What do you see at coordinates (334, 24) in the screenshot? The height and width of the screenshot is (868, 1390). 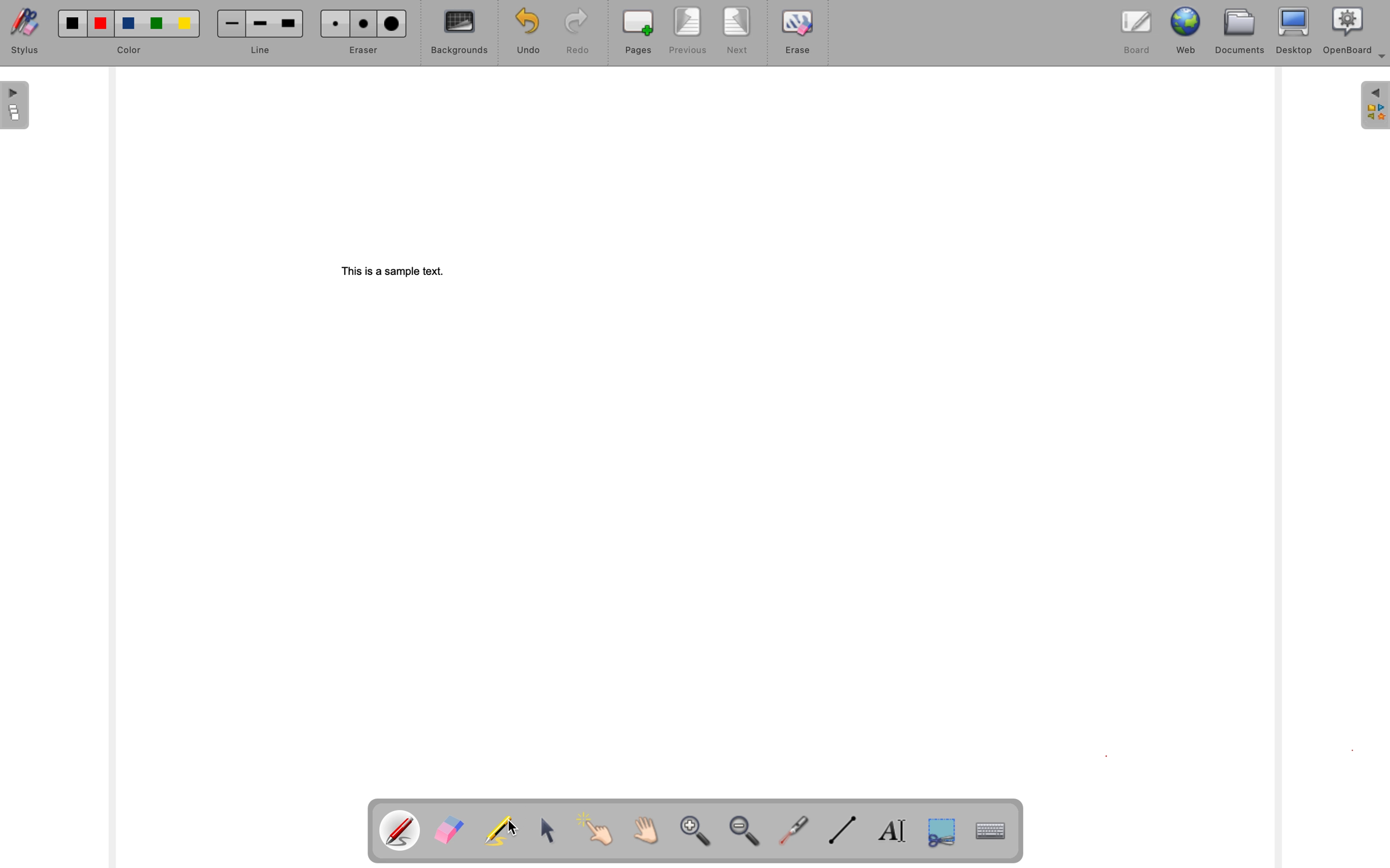 I see `Small eraser` at bounding box center [334, 24].